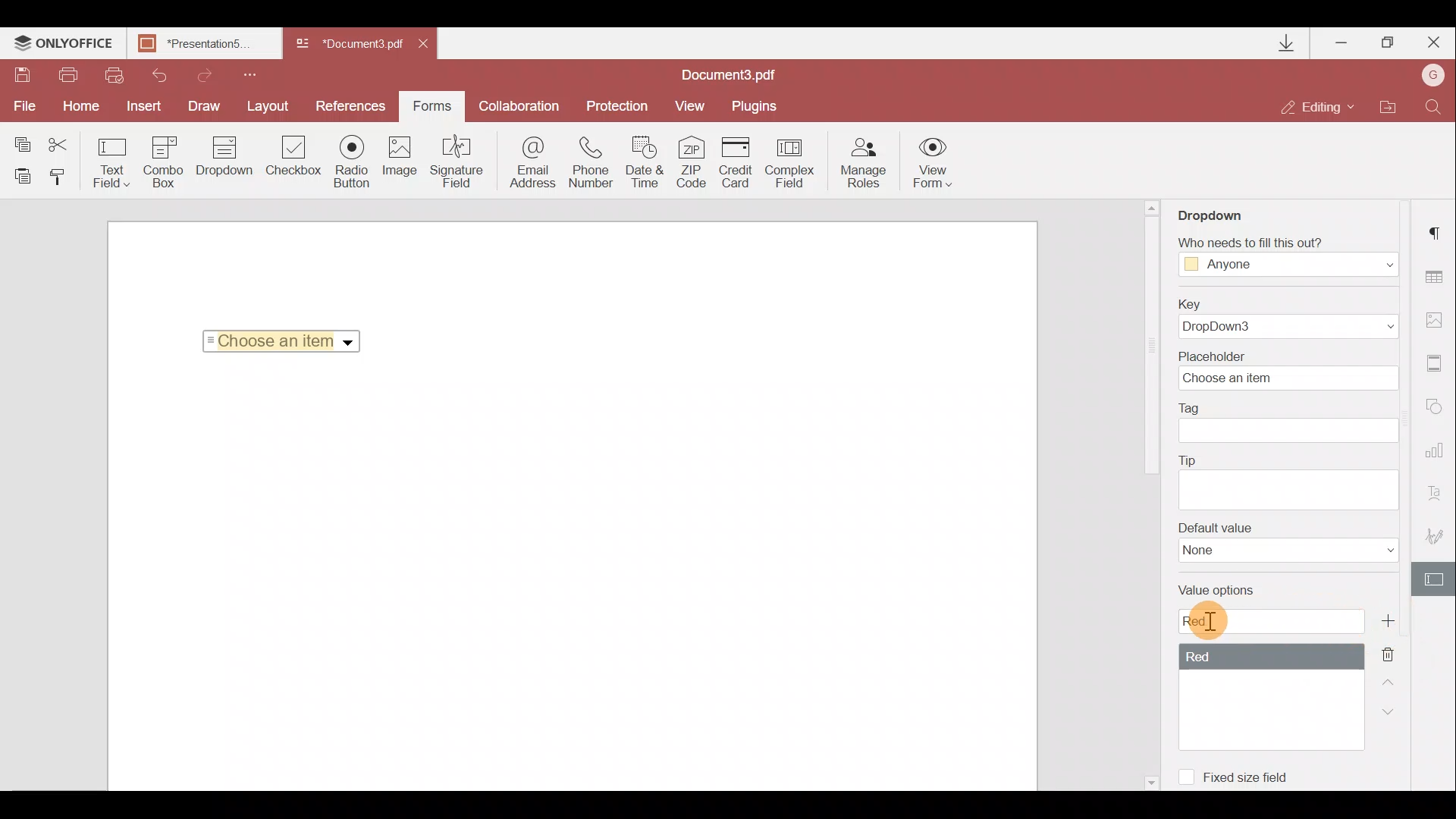 The height and width of the screenshot is (819, 1456). I want to click on Maximize, so click(1387, 45).